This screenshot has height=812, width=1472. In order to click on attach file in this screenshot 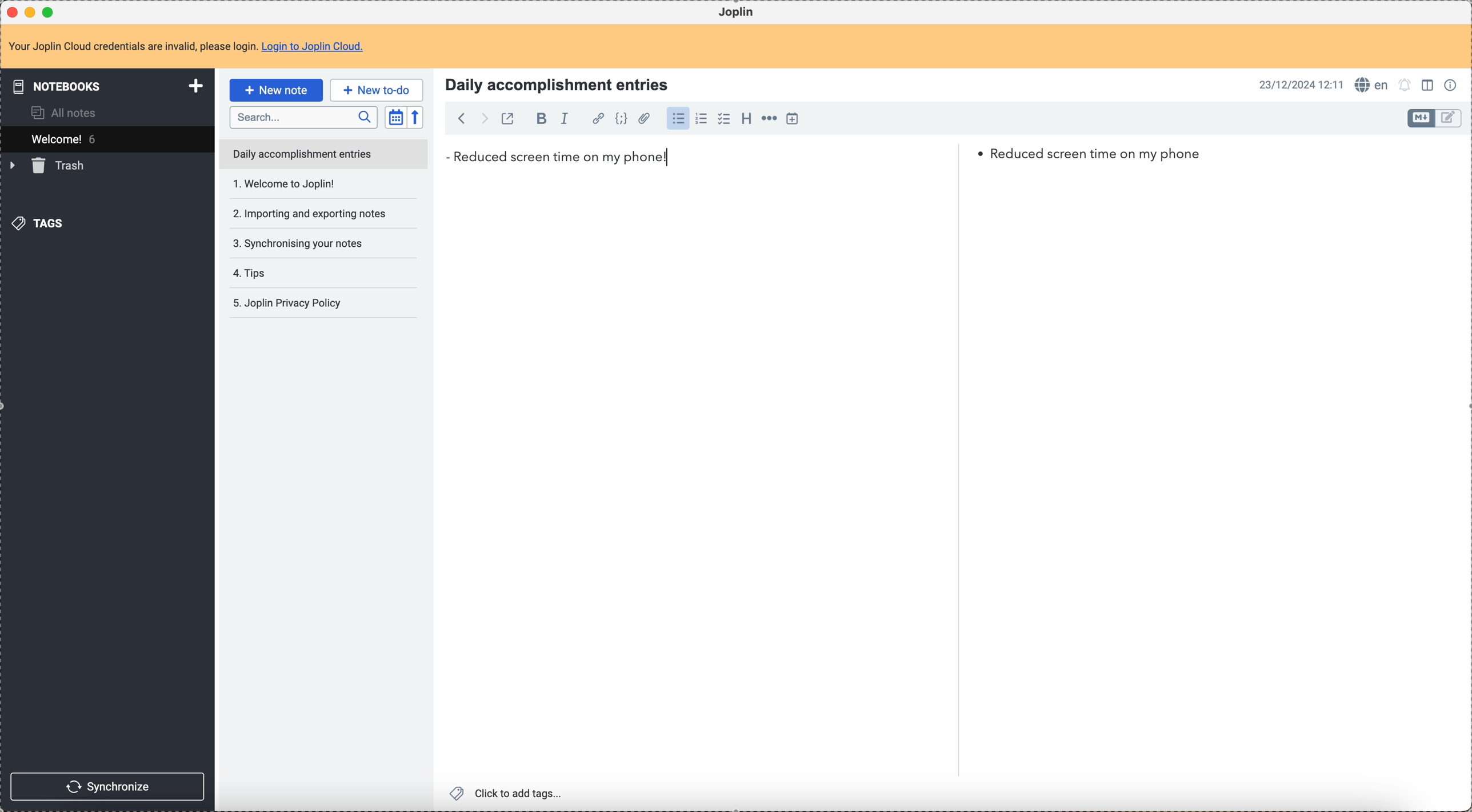, I will do `click(644, 119)`.